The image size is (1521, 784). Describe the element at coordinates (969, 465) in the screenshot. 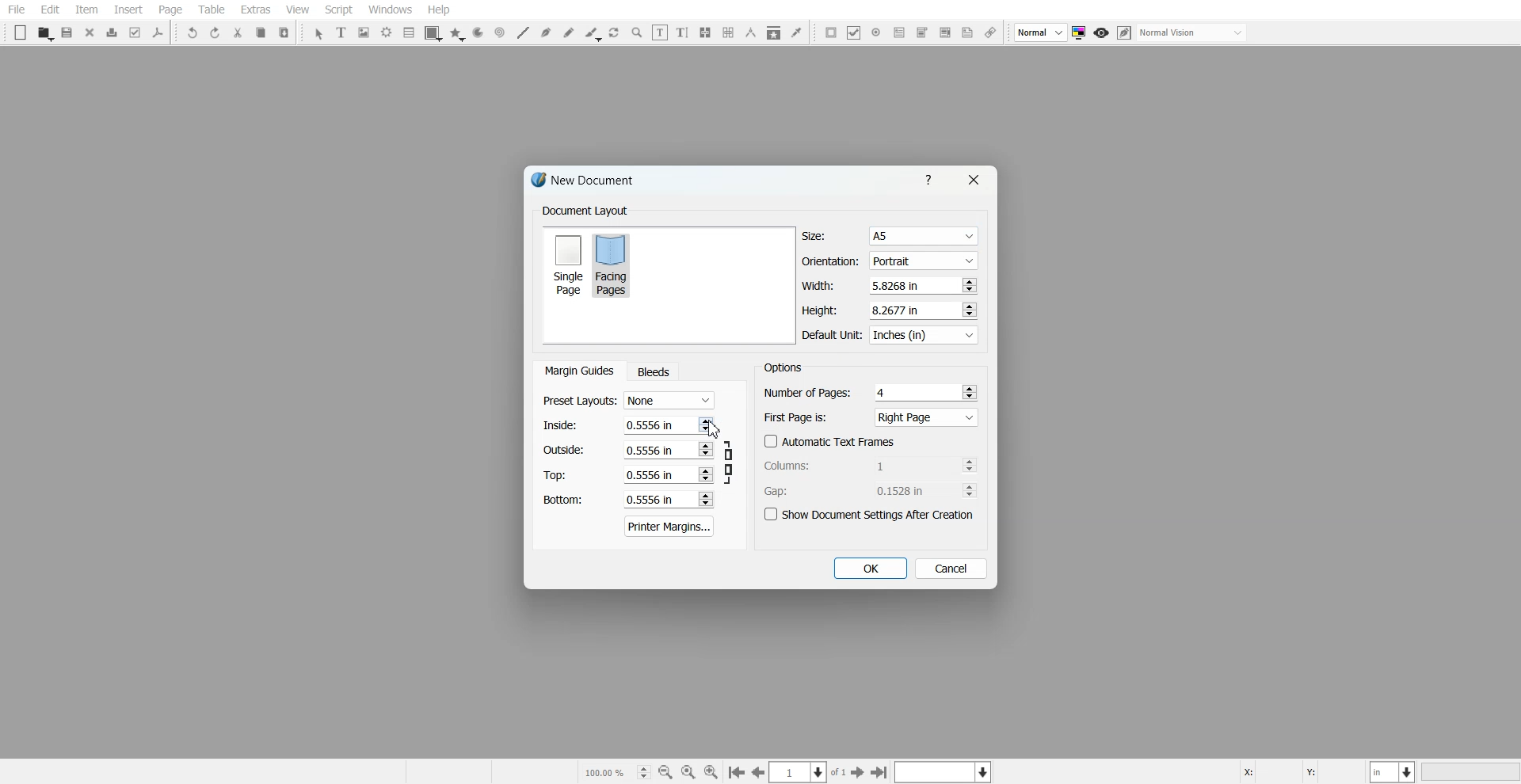

I see `Increase and decrease No. ` at that location.